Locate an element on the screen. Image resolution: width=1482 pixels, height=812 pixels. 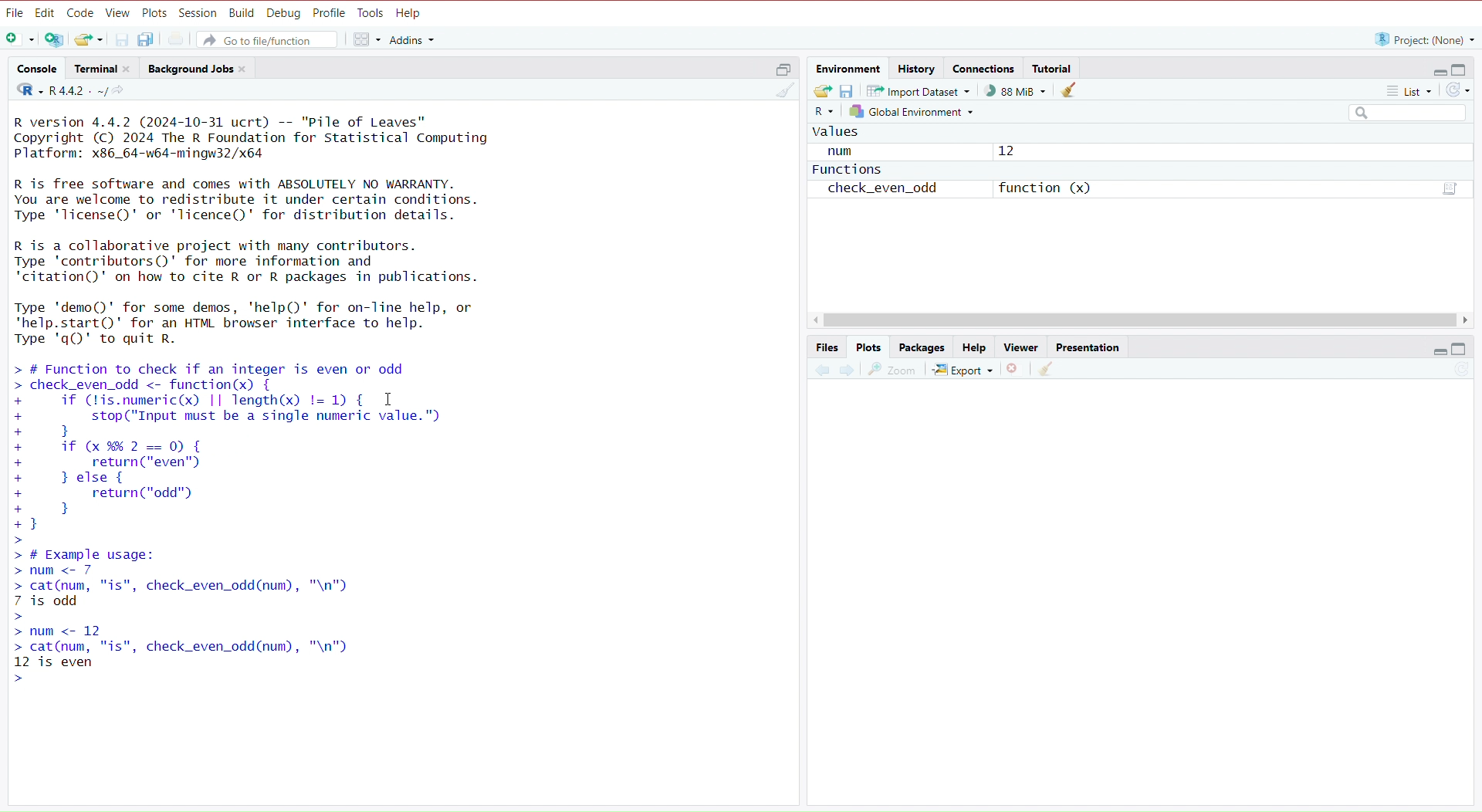
create a project is located at coordinates (55, 41).